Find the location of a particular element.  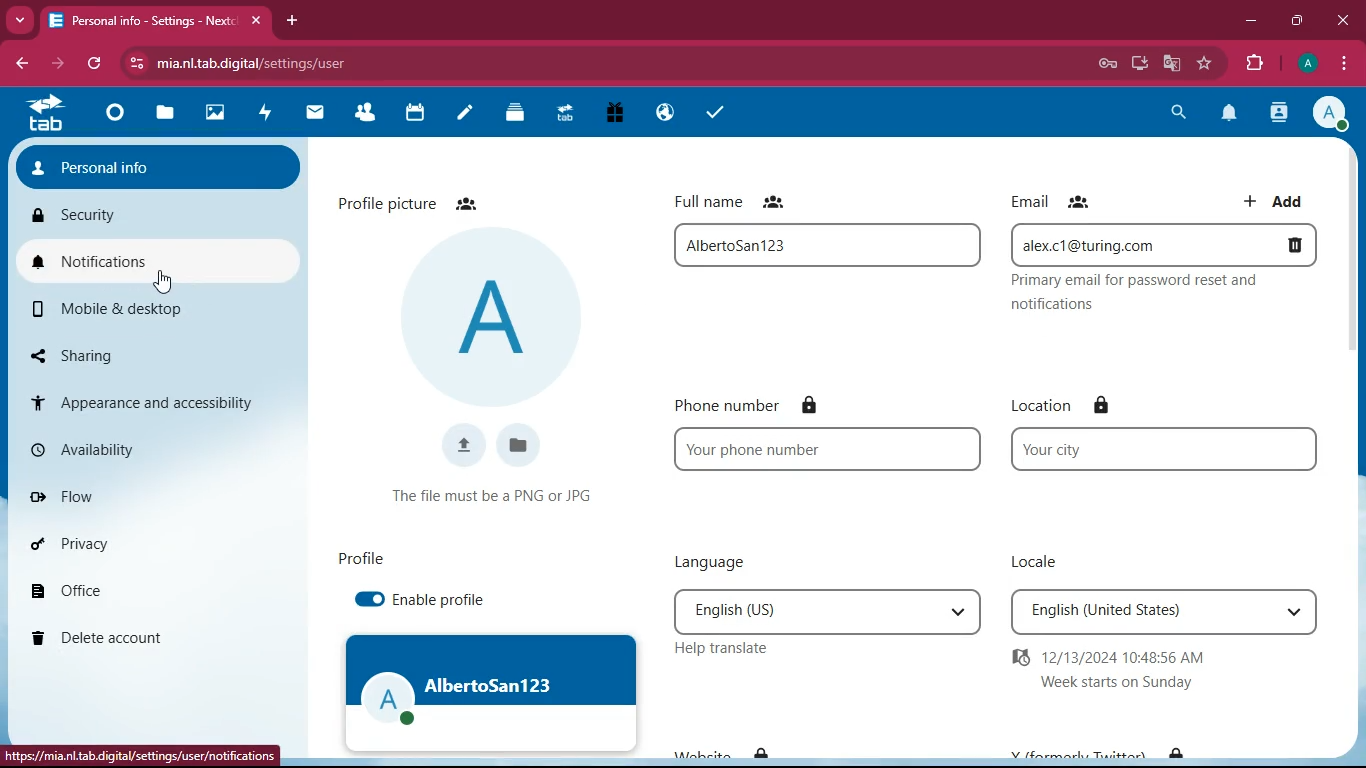

alex.c1@turning.com is located at coordinates (1141, 245).